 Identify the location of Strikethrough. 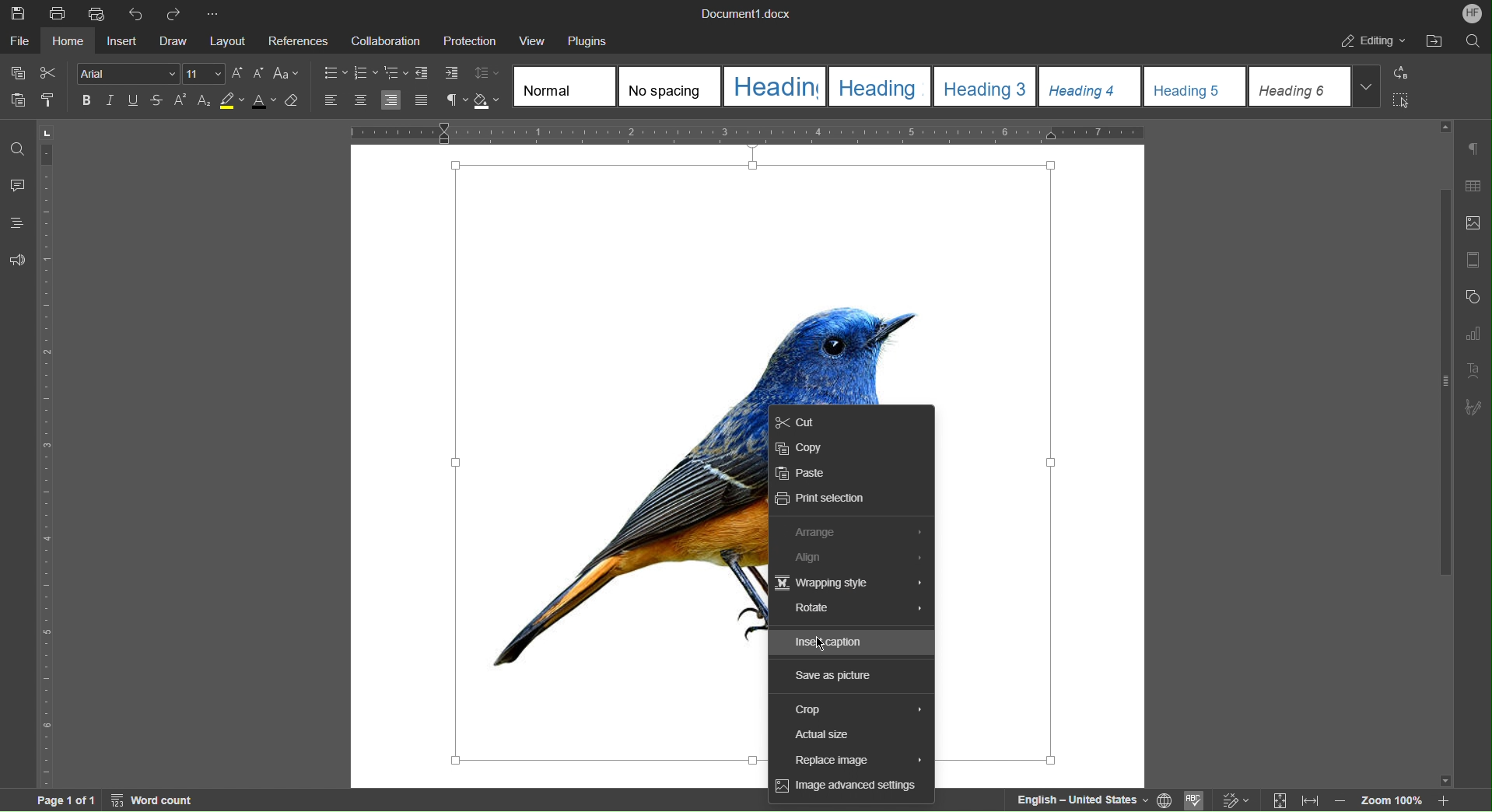
(155, 101).